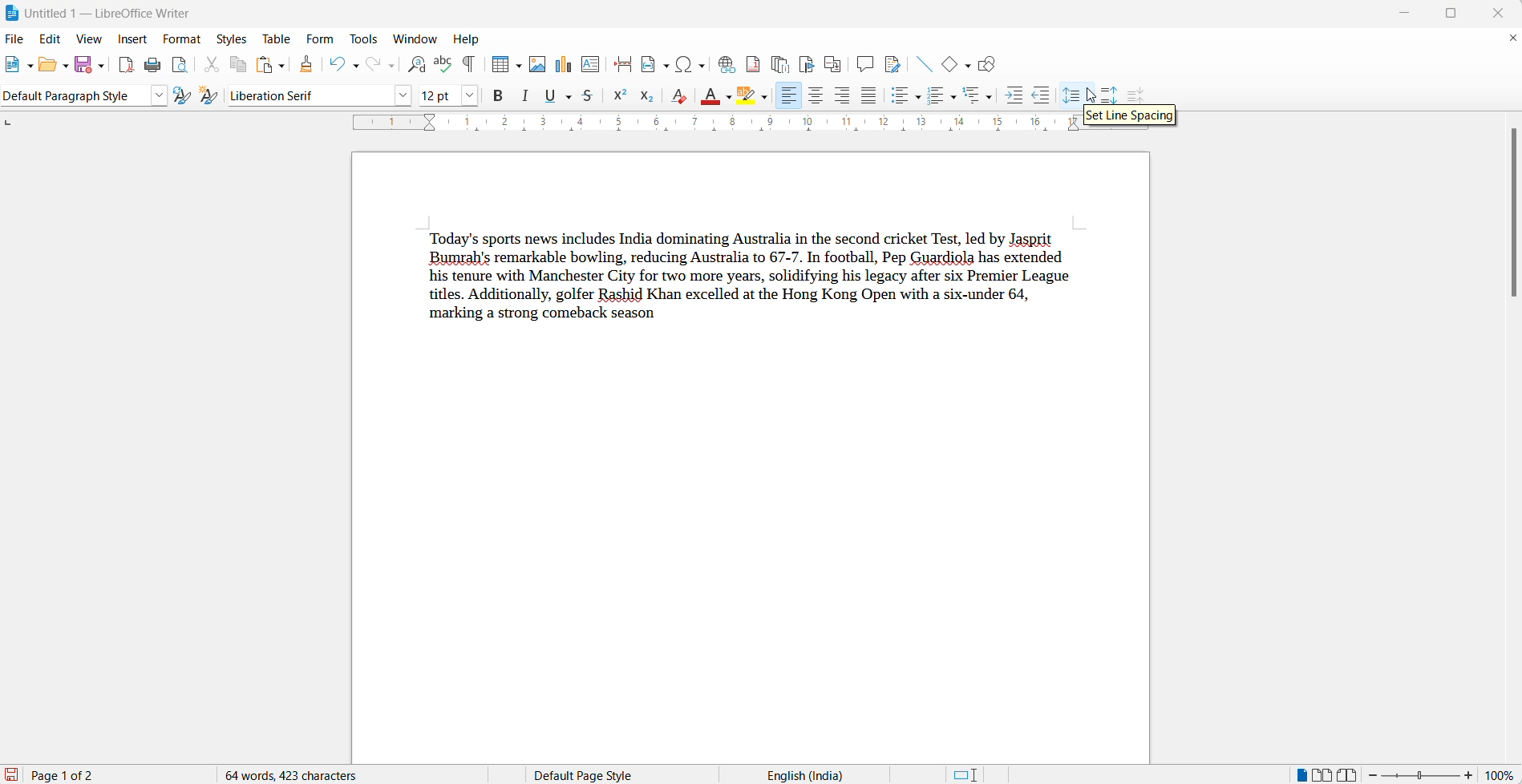 Image resolution: width=1522 pixels, height=784 pixels. Describe the element at coordinates (1014, 95) in the screenshot. I see `increase indent` at that location.